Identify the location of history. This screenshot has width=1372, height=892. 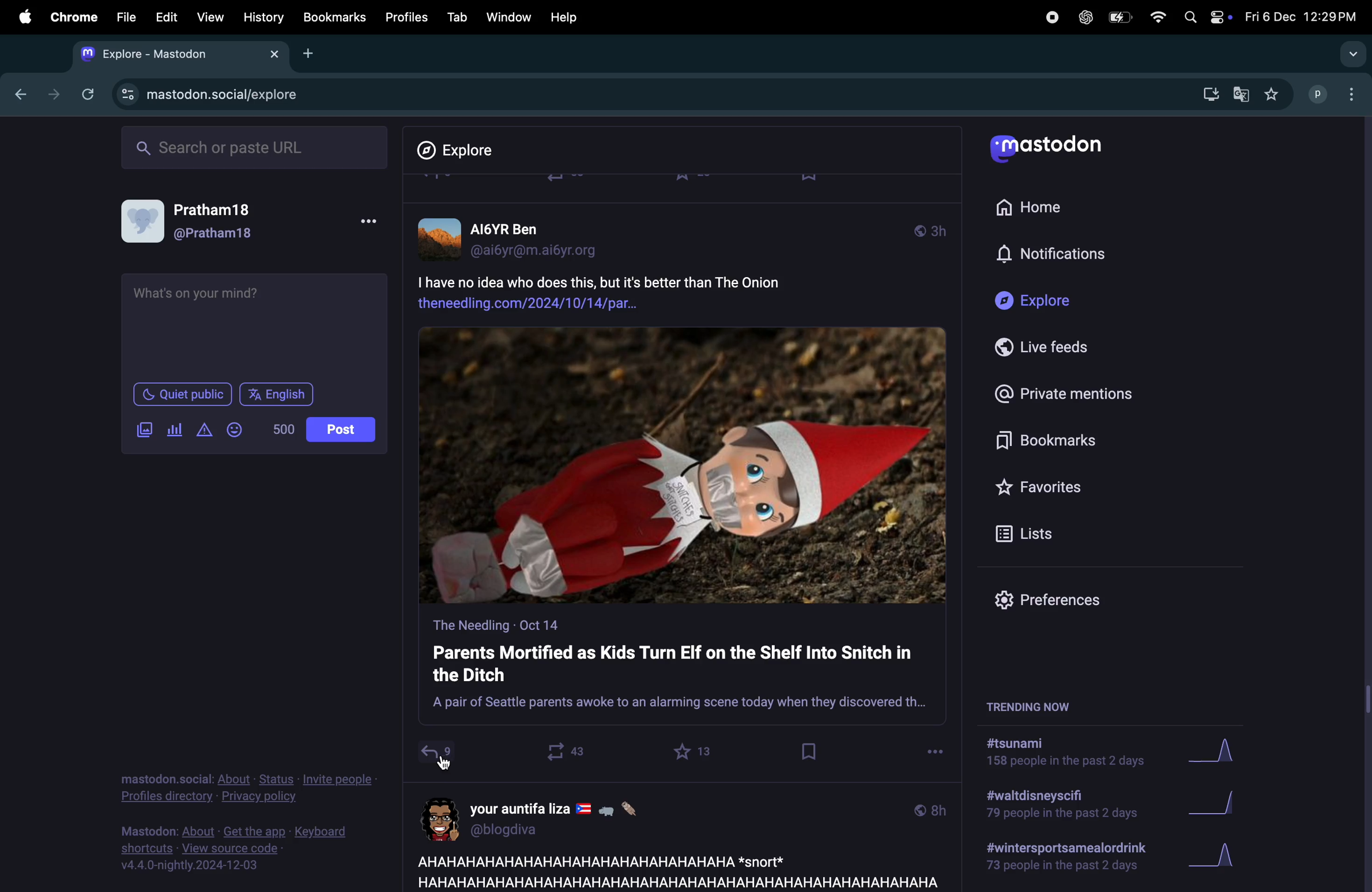
(265, 17).